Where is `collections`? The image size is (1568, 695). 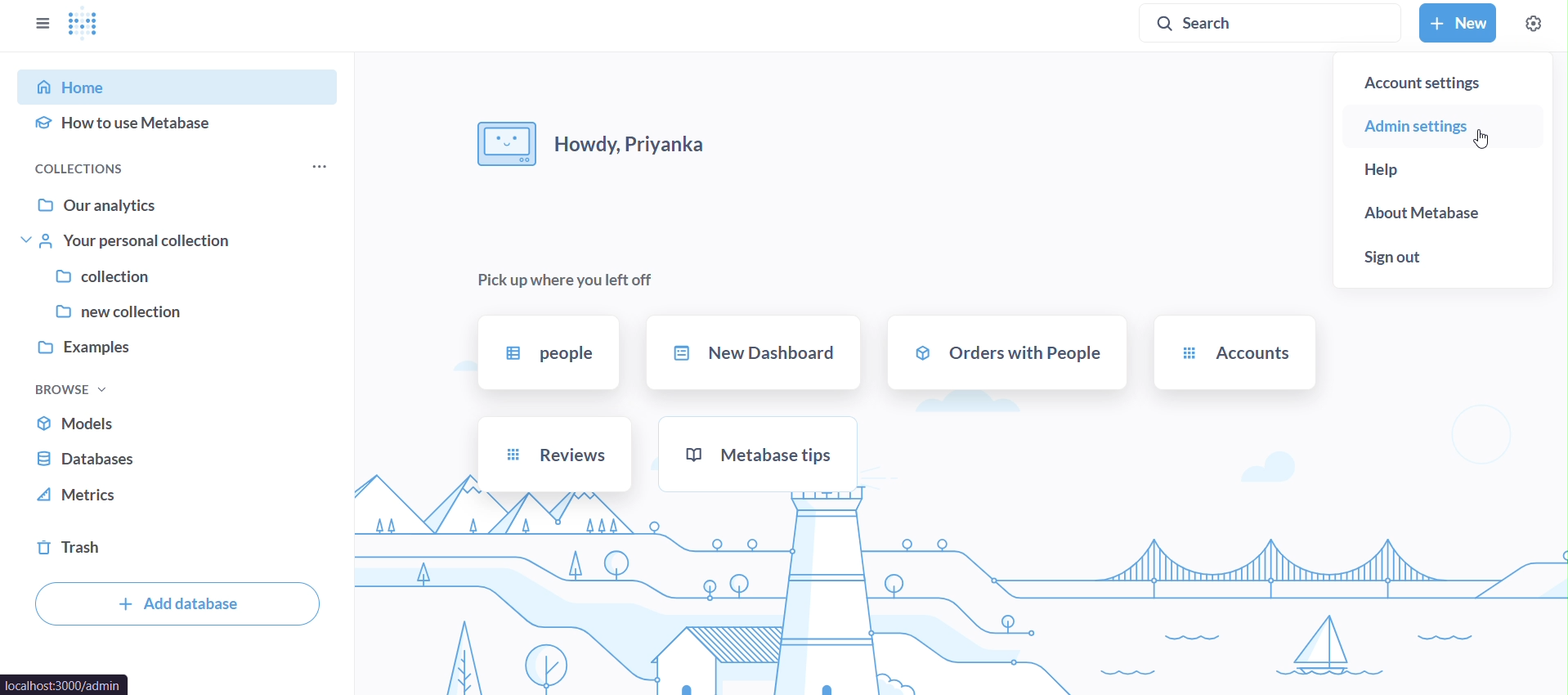 collections is located at coordinates (97, 168).